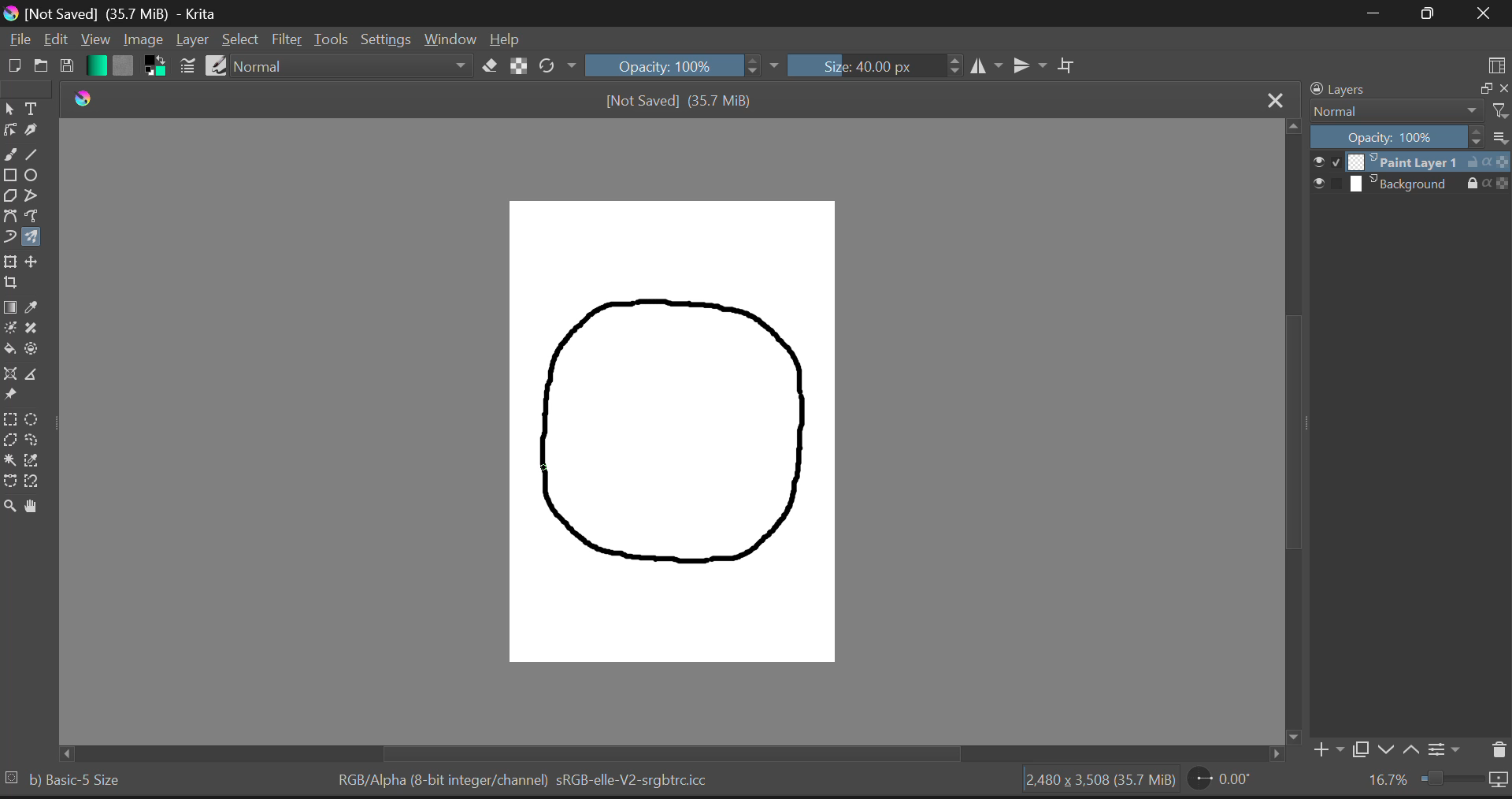  Describe the element at coordinates (387, 40) in the screenshot. I see `Settings` at that location.